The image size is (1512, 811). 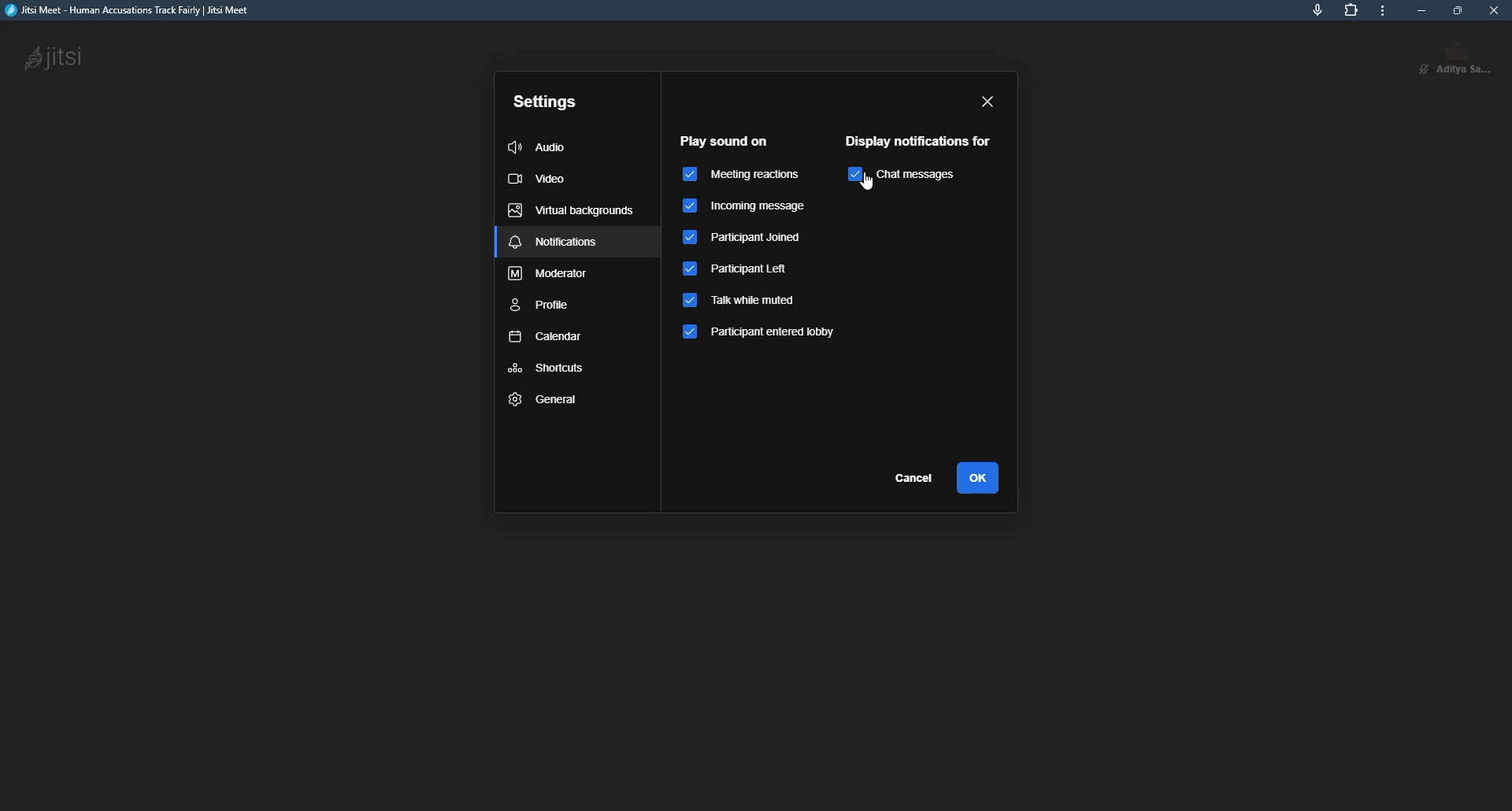 I want to click on shortcuts, so click(x=545, y=367).